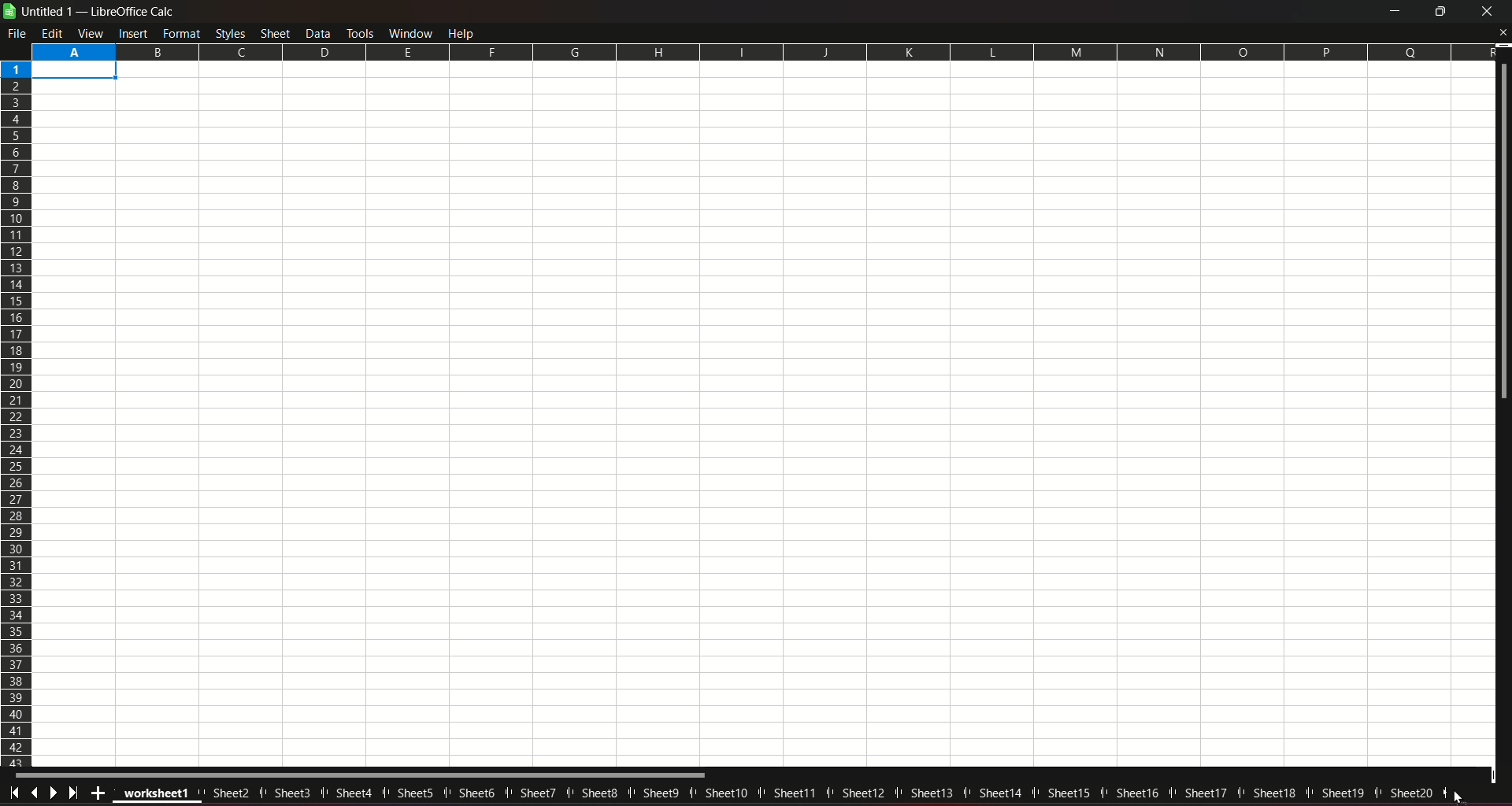  I want to click on columns, so click(761, 50).